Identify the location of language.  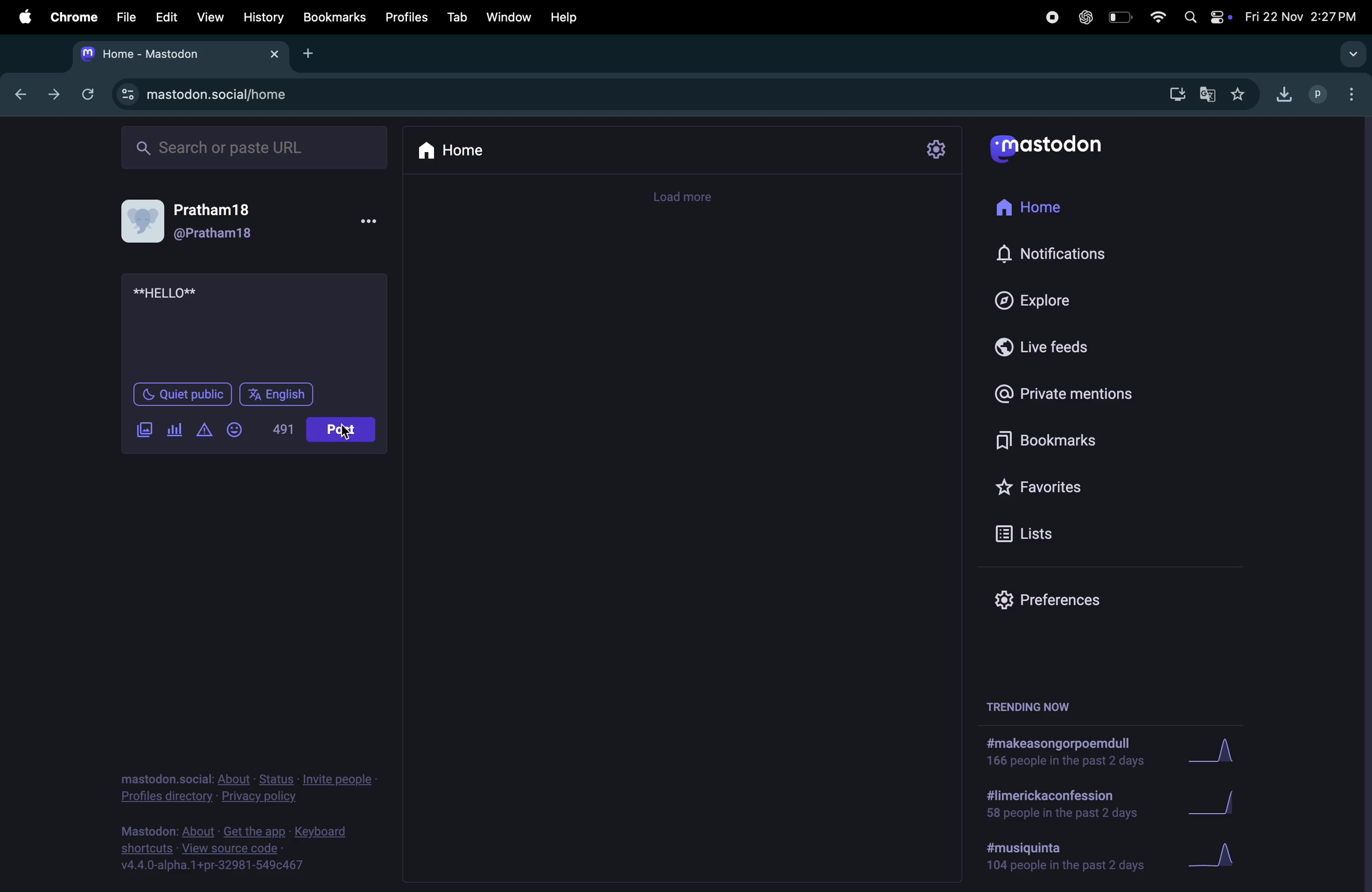
(278, 395).